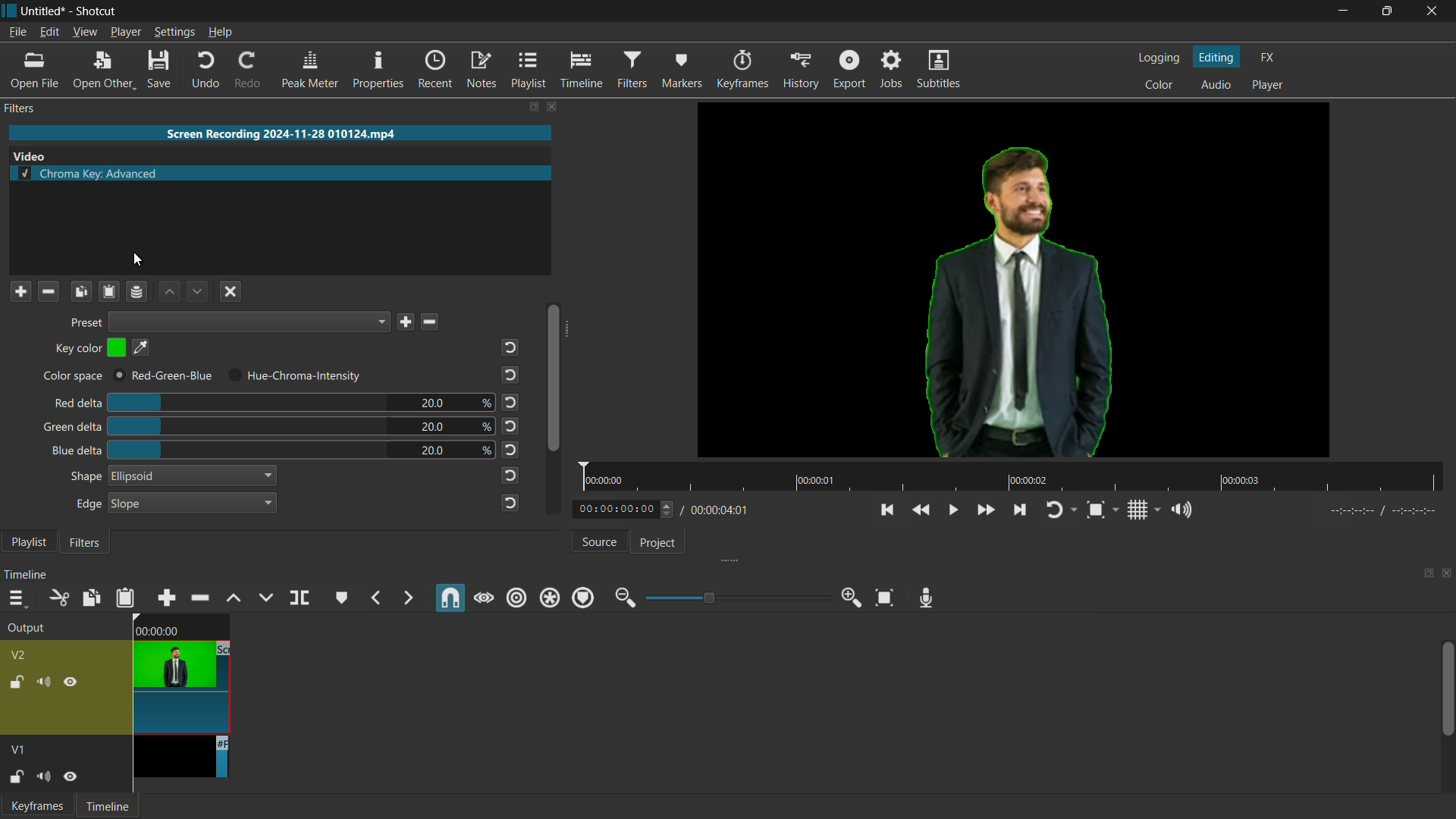  I want to click on red-green-blue, so click(173, 375).